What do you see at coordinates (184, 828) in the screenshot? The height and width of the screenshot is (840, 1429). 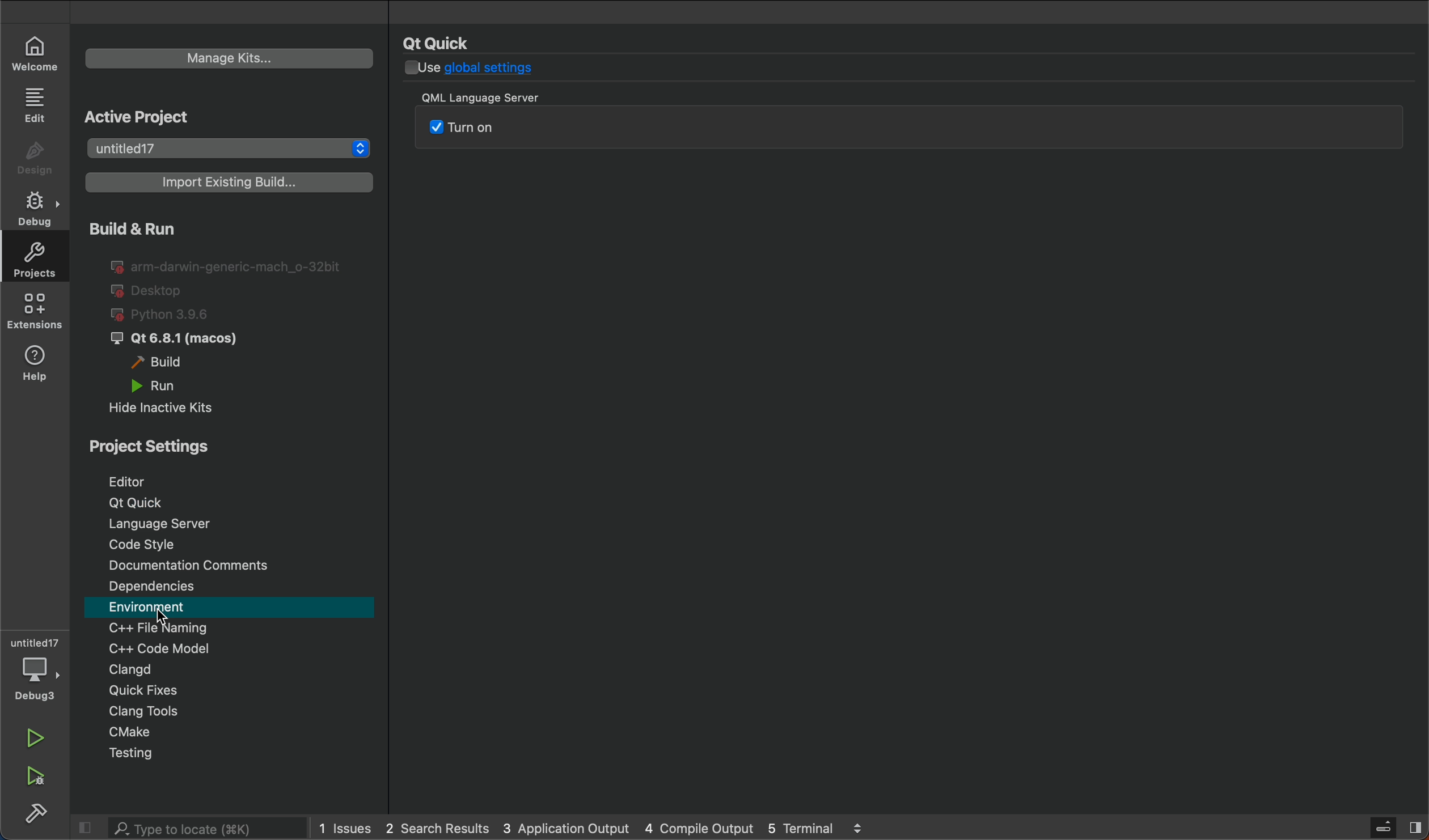 I see `search` at bounding box center [184, 828].